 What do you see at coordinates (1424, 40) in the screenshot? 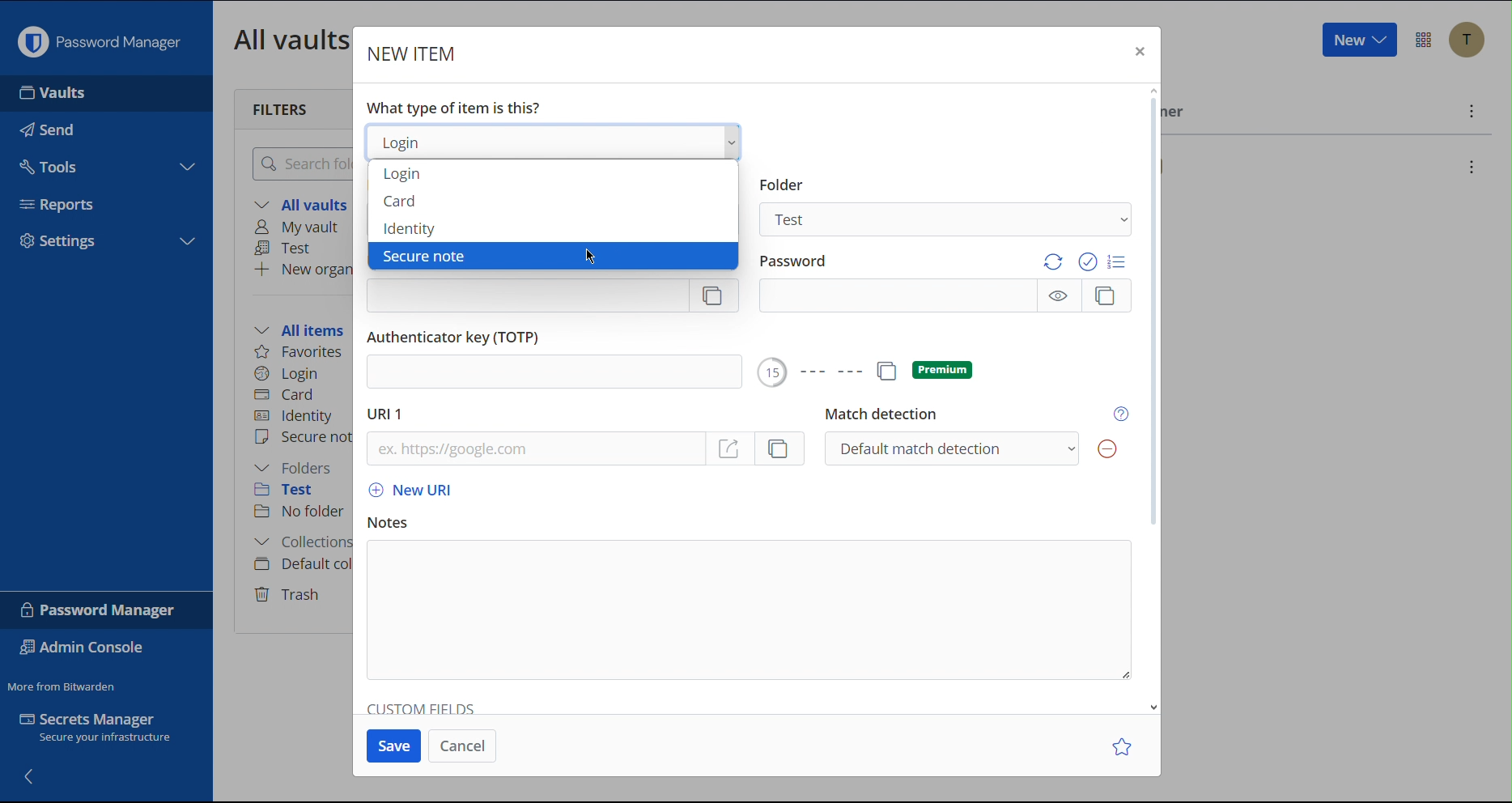
I see `More Options` at bounding box center [1424, 40].